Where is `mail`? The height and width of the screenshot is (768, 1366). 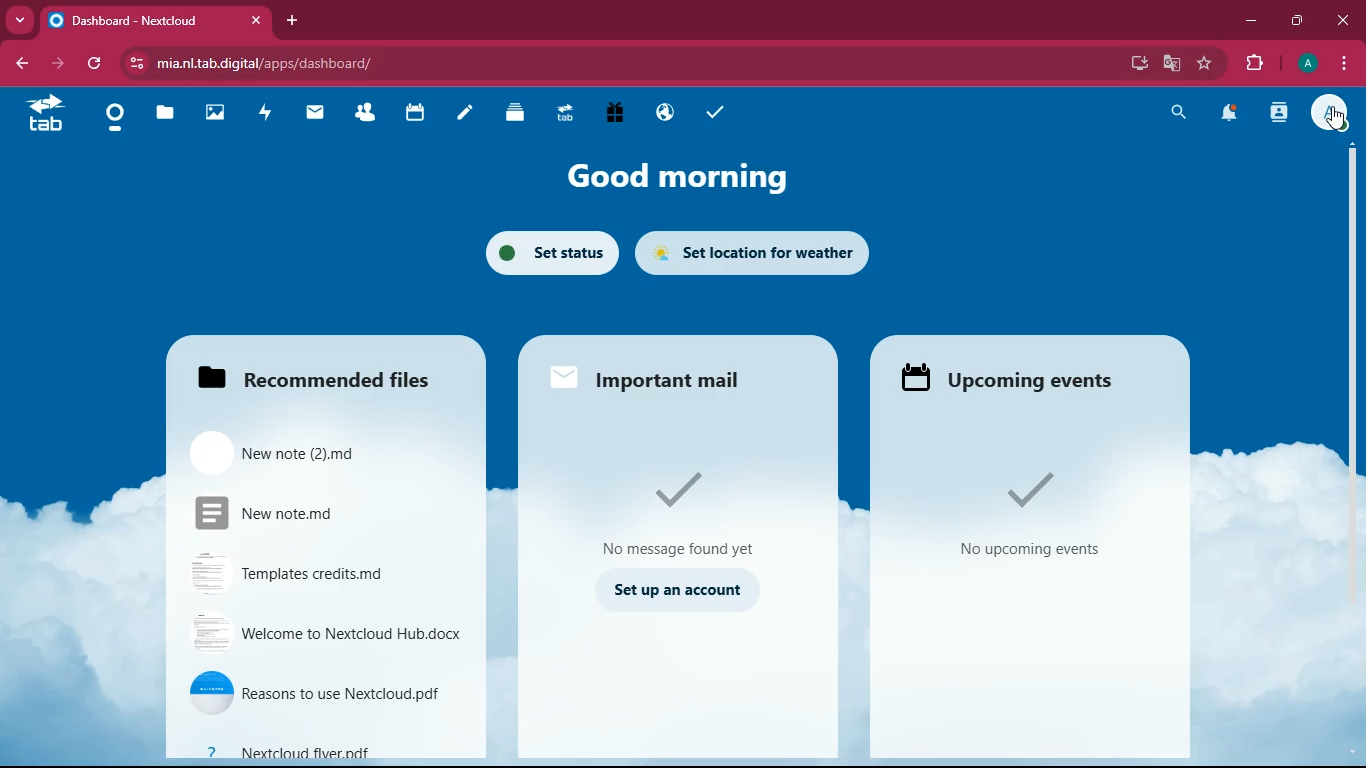 mail is located at coordinates (317, 116).